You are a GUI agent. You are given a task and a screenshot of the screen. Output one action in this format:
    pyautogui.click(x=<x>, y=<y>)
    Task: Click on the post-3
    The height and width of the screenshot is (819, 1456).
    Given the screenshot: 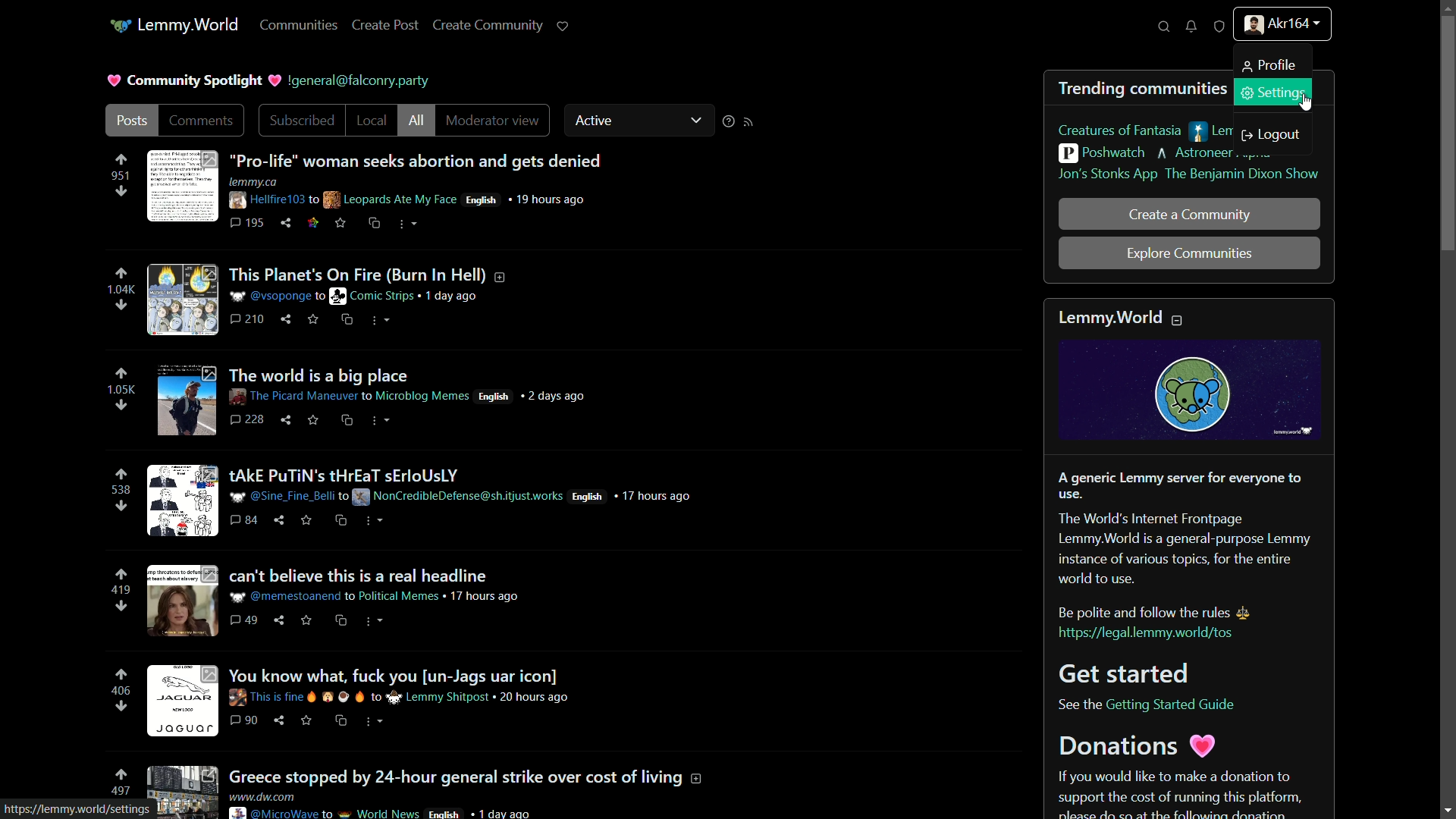 What is the action you would take?
    pyautogui.click(x=372, y=398)
    